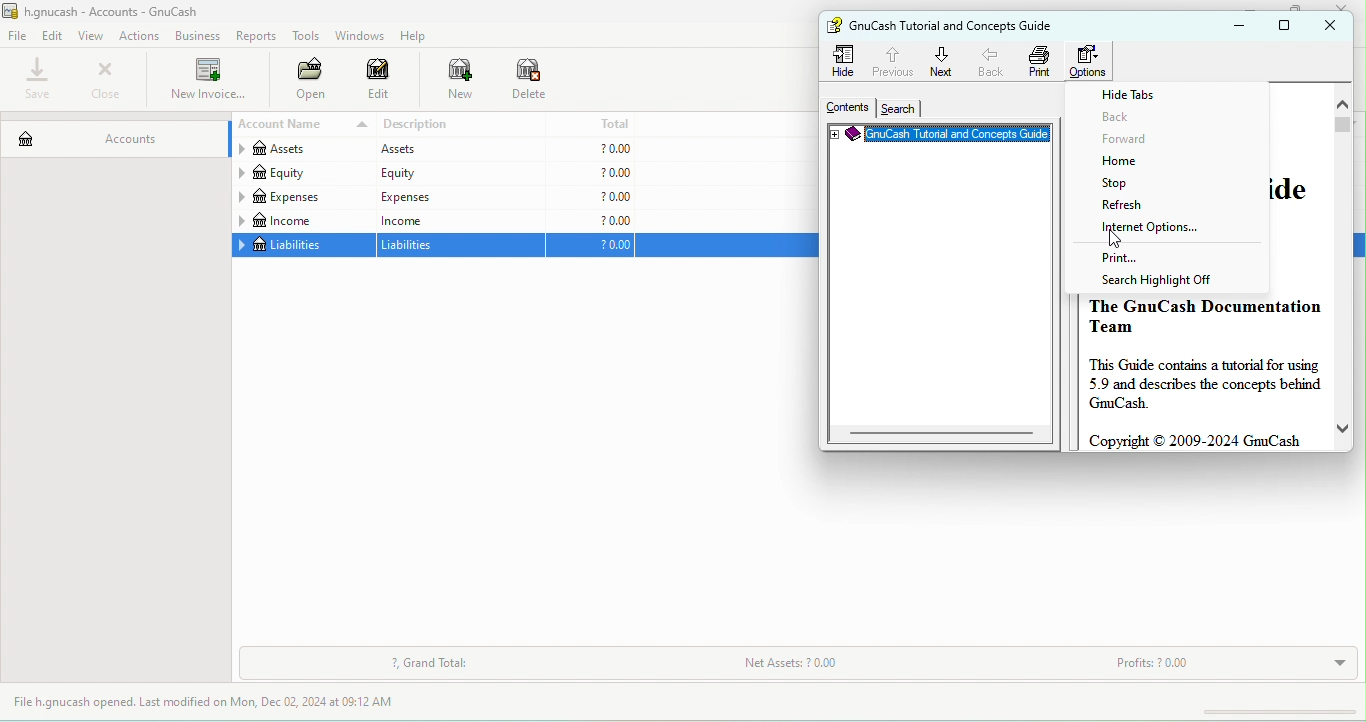 The image size is (1366, 722). I want to click on new, so click(450, 81).